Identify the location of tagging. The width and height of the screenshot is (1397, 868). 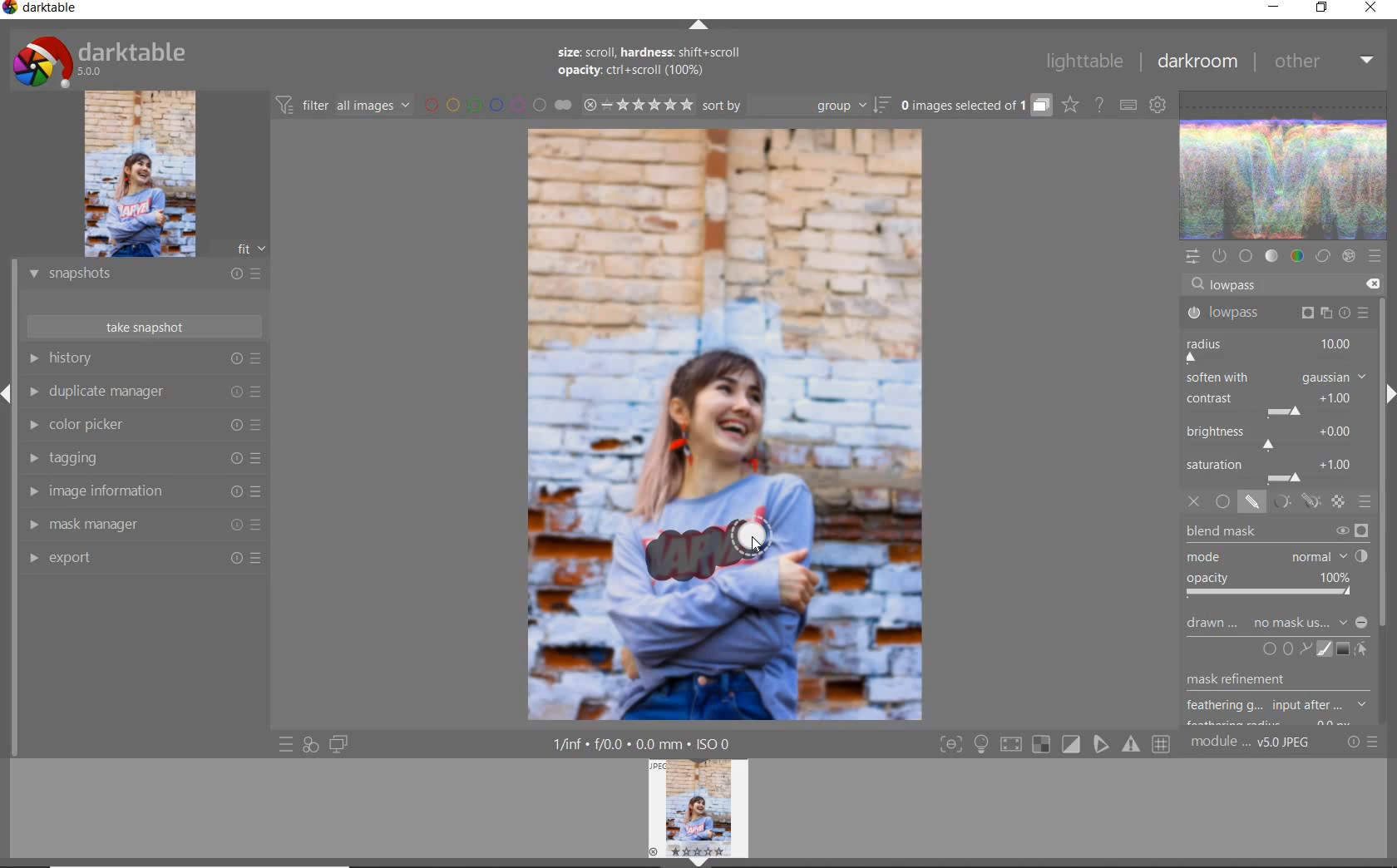
(144, 460).